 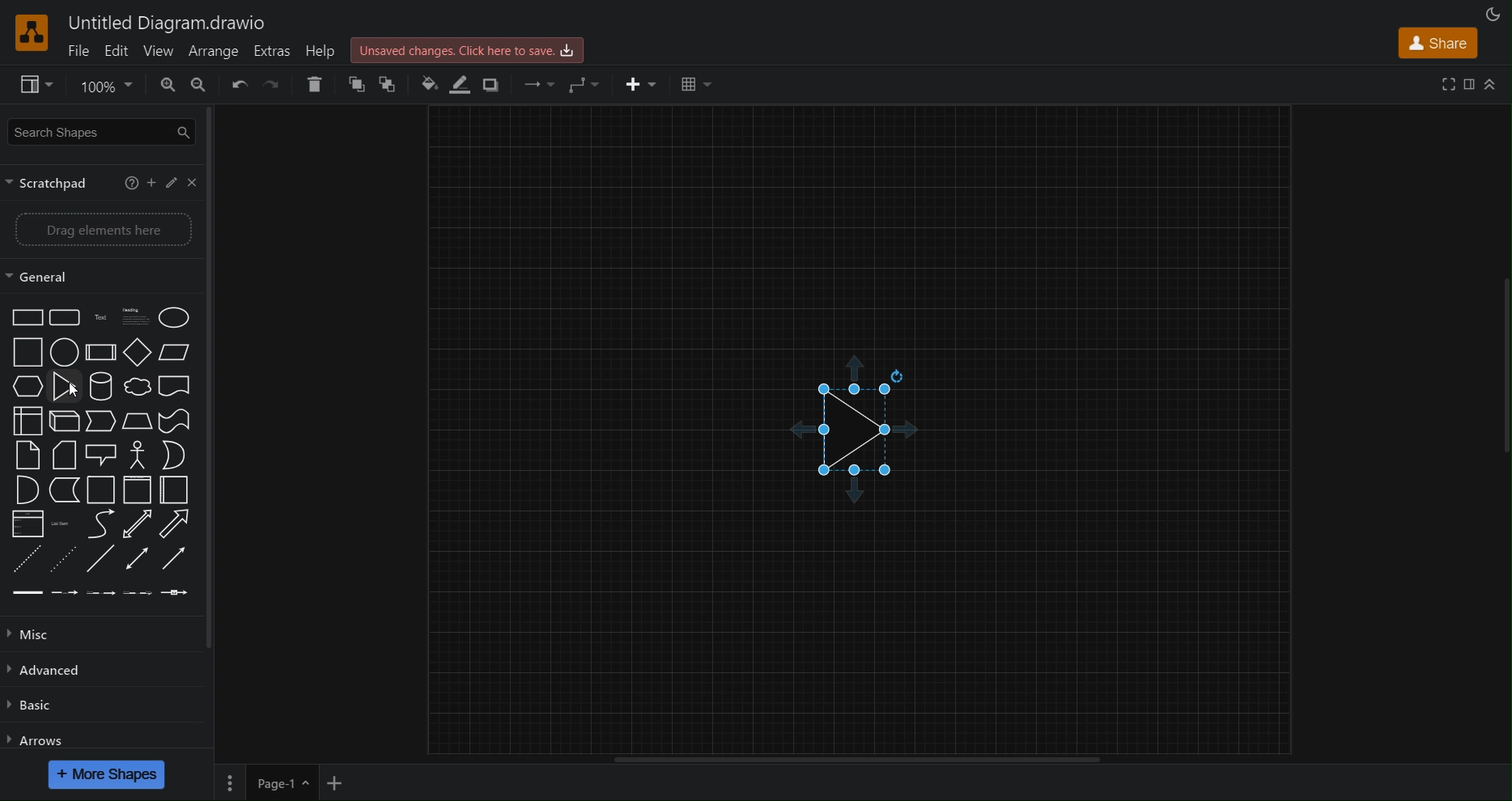 What do you see at coordinates (393, 85) in the screenshot?
I see `Send to Back` at bounding box center [393, 85].